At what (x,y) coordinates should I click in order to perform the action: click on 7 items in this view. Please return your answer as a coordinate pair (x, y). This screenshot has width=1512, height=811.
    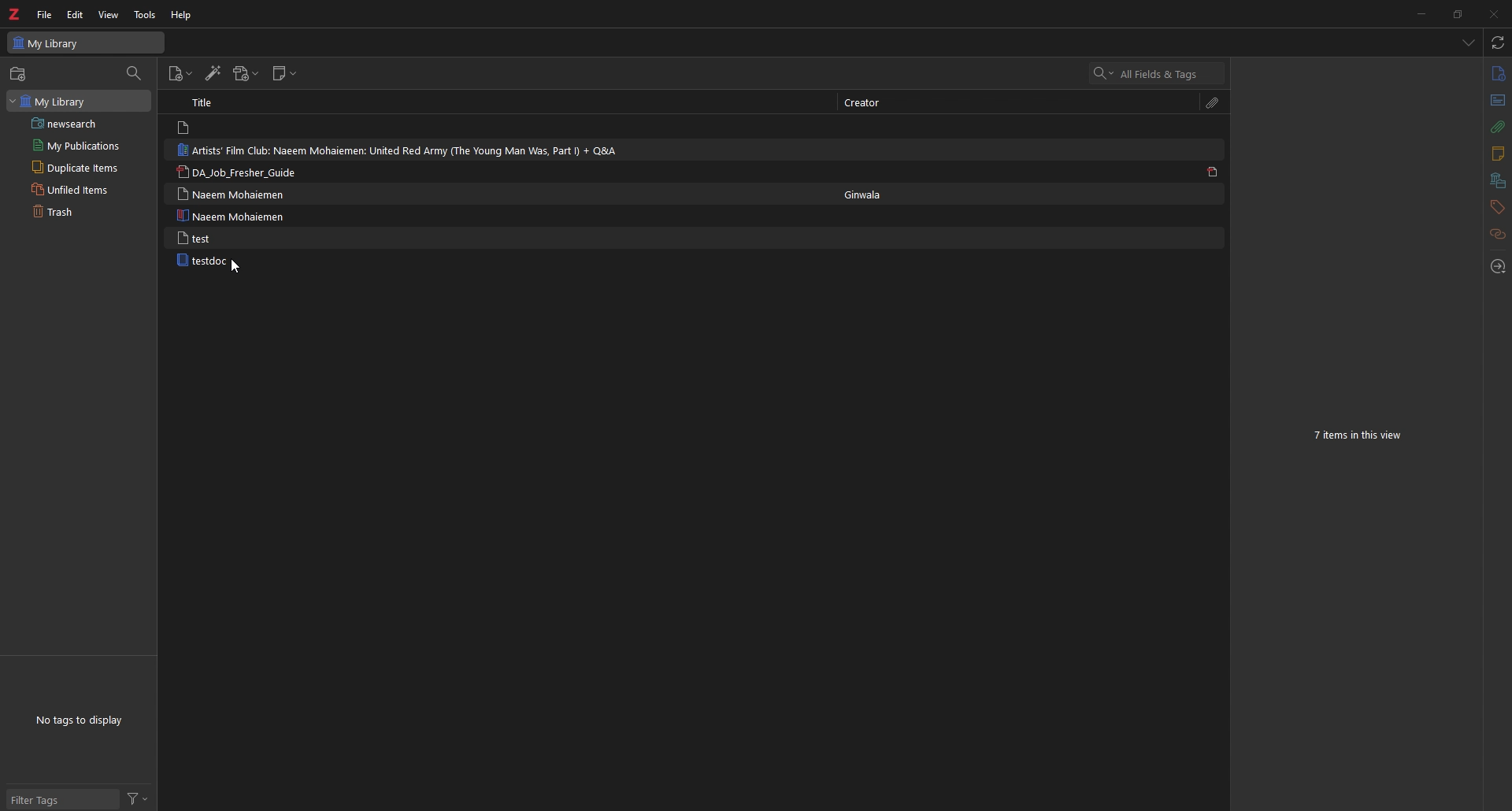
    Looking at the image, I should click on (1358, 433).